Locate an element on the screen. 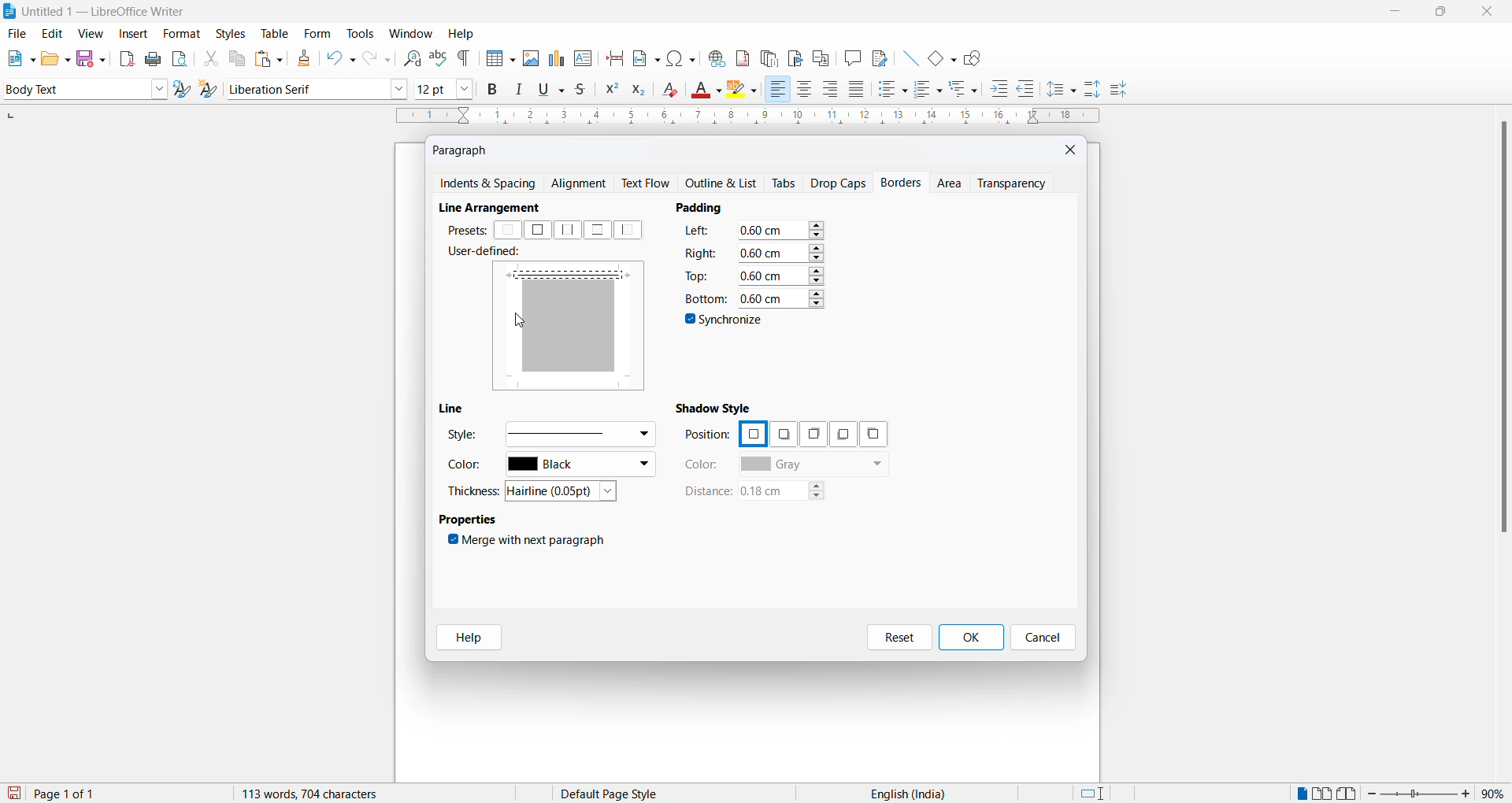  zoom percentage is located at coordinates (1496, 792).